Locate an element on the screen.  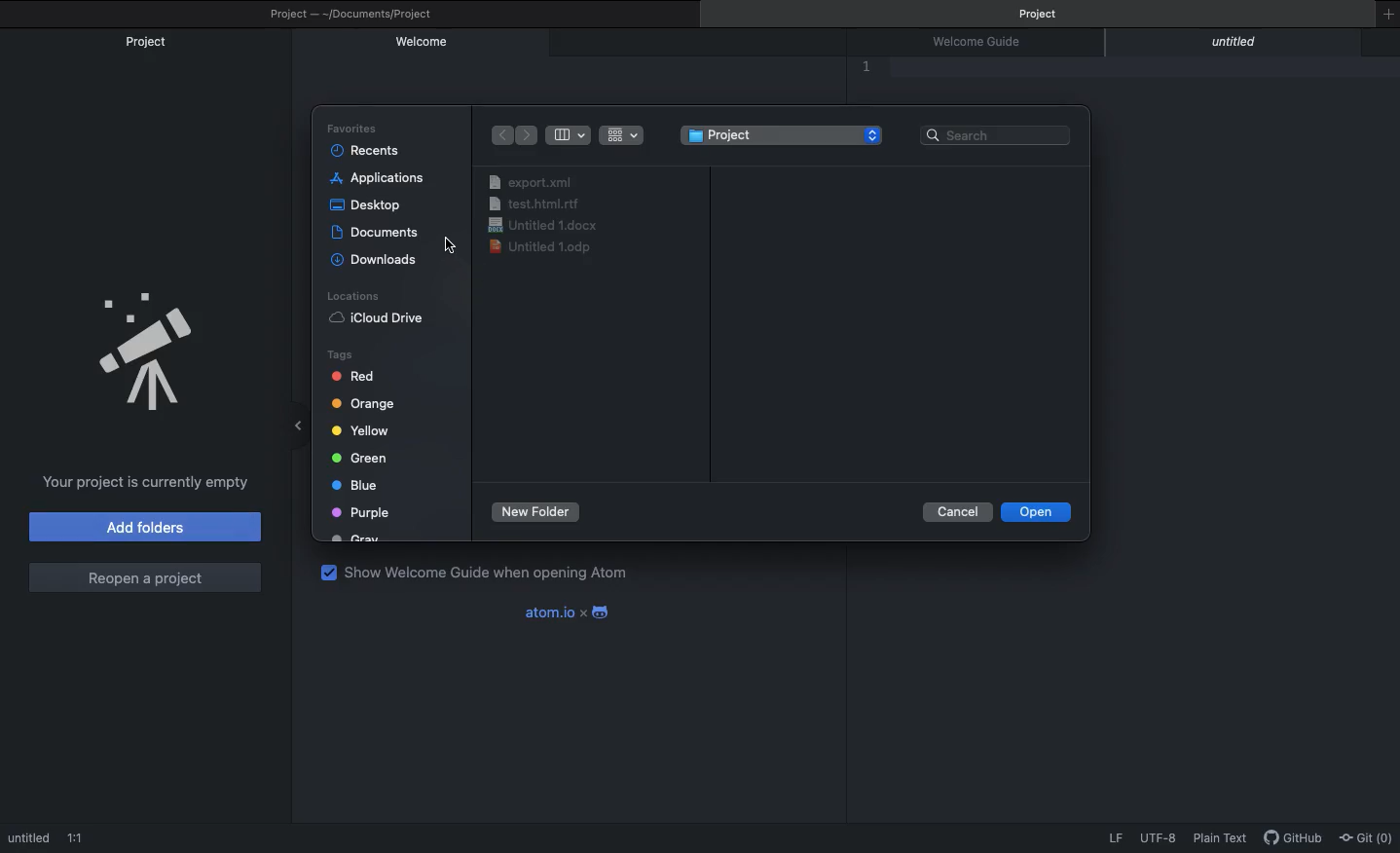
GitHub is located at coordinates (1294, 840).